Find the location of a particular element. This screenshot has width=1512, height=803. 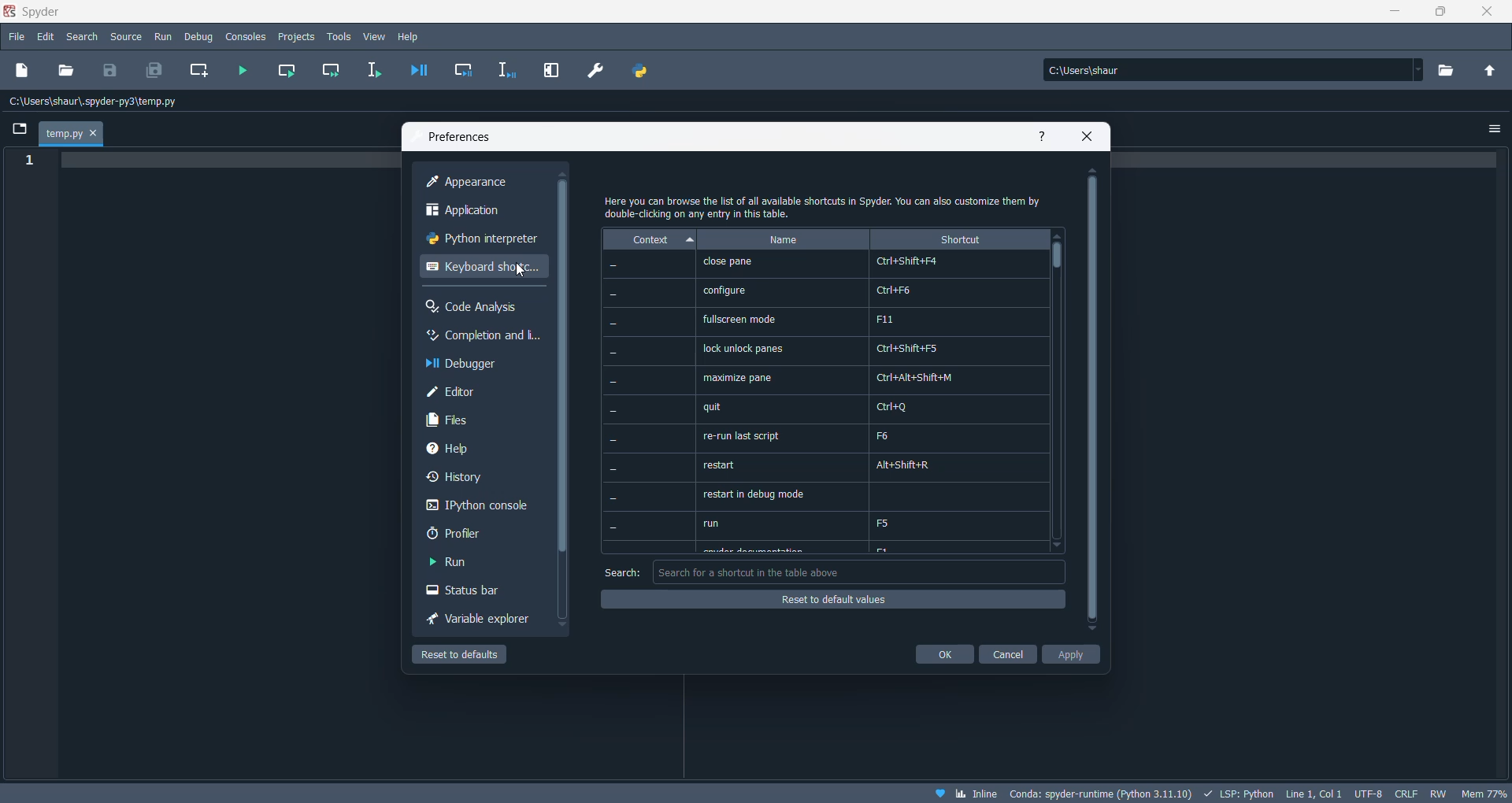

help is located at coordinates (410, 37).